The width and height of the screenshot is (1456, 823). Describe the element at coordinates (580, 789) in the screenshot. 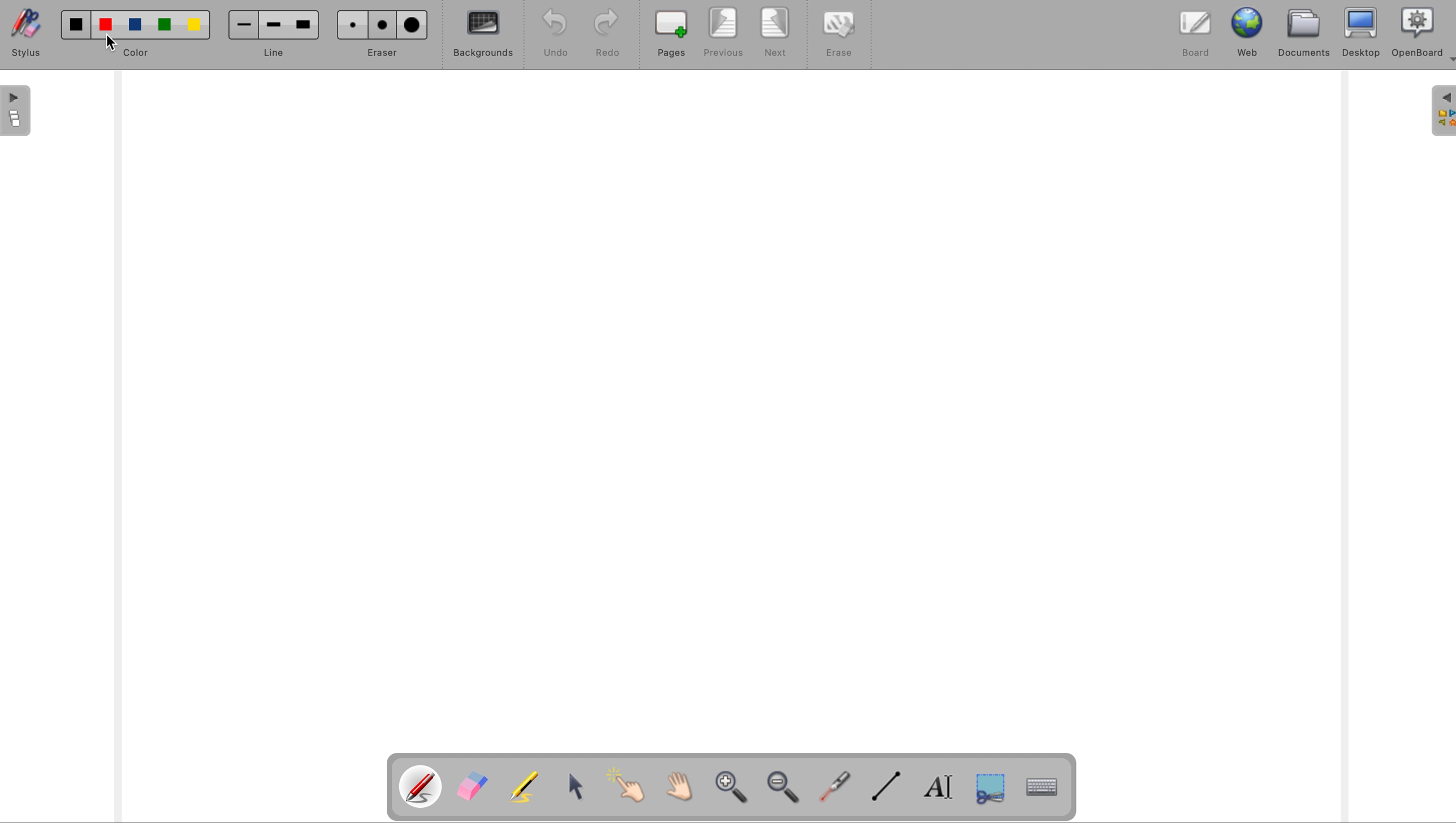

I see `select and modify` at that location.